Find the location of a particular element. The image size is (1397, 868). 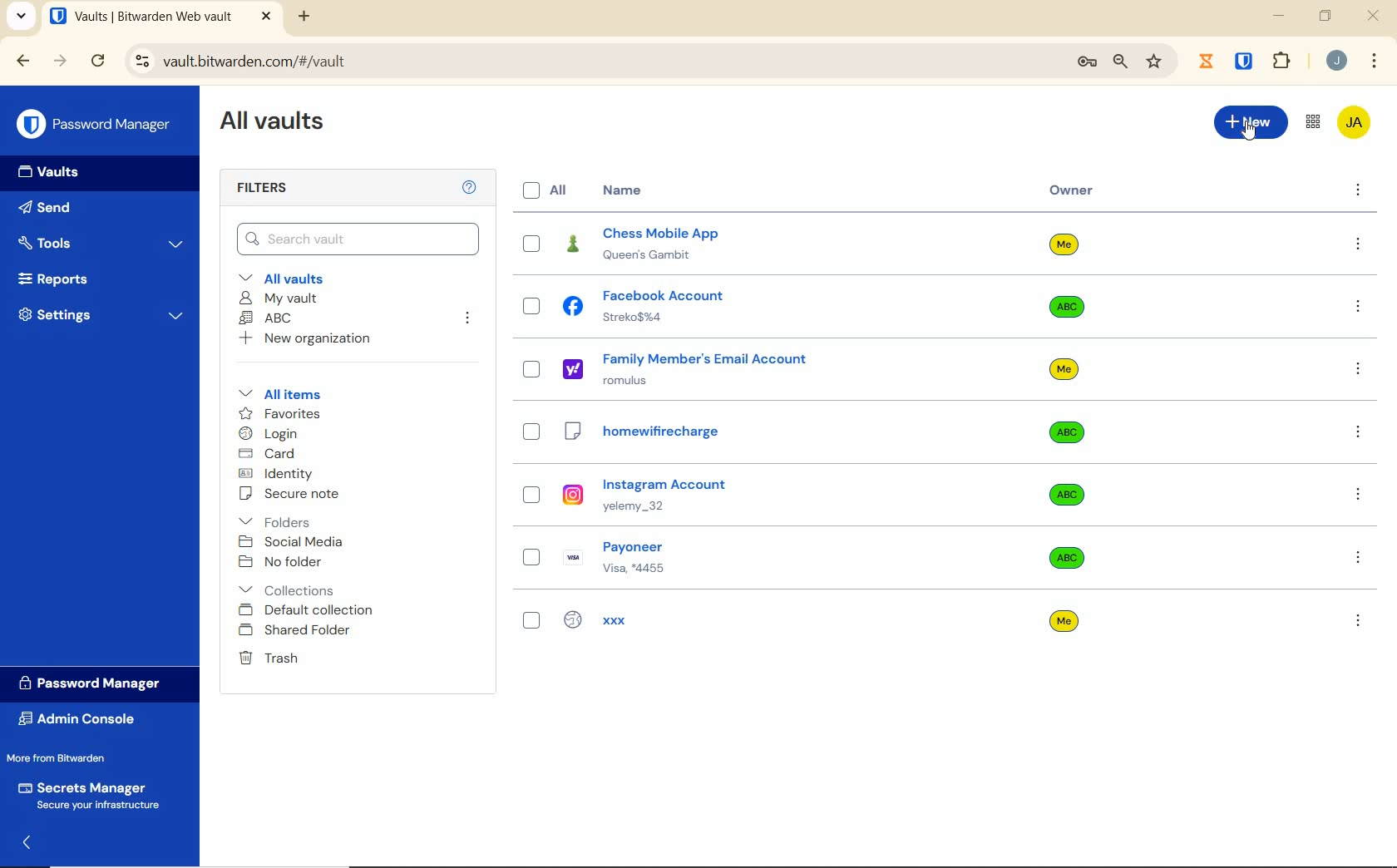

xxx is located at coordinates (670, 620).